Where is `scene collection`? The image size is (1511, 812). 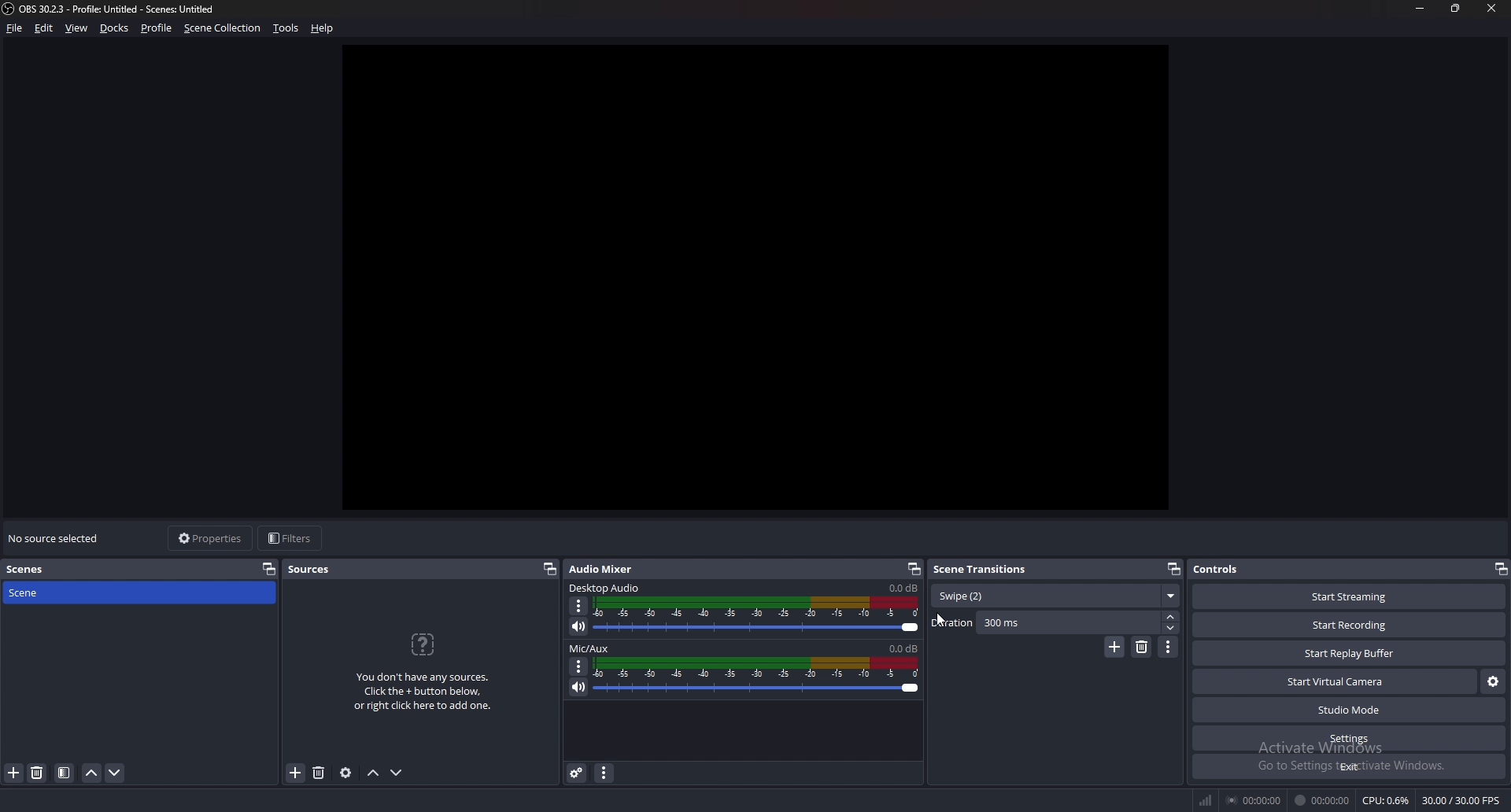 scene collection is located at coordinates (224, 28).